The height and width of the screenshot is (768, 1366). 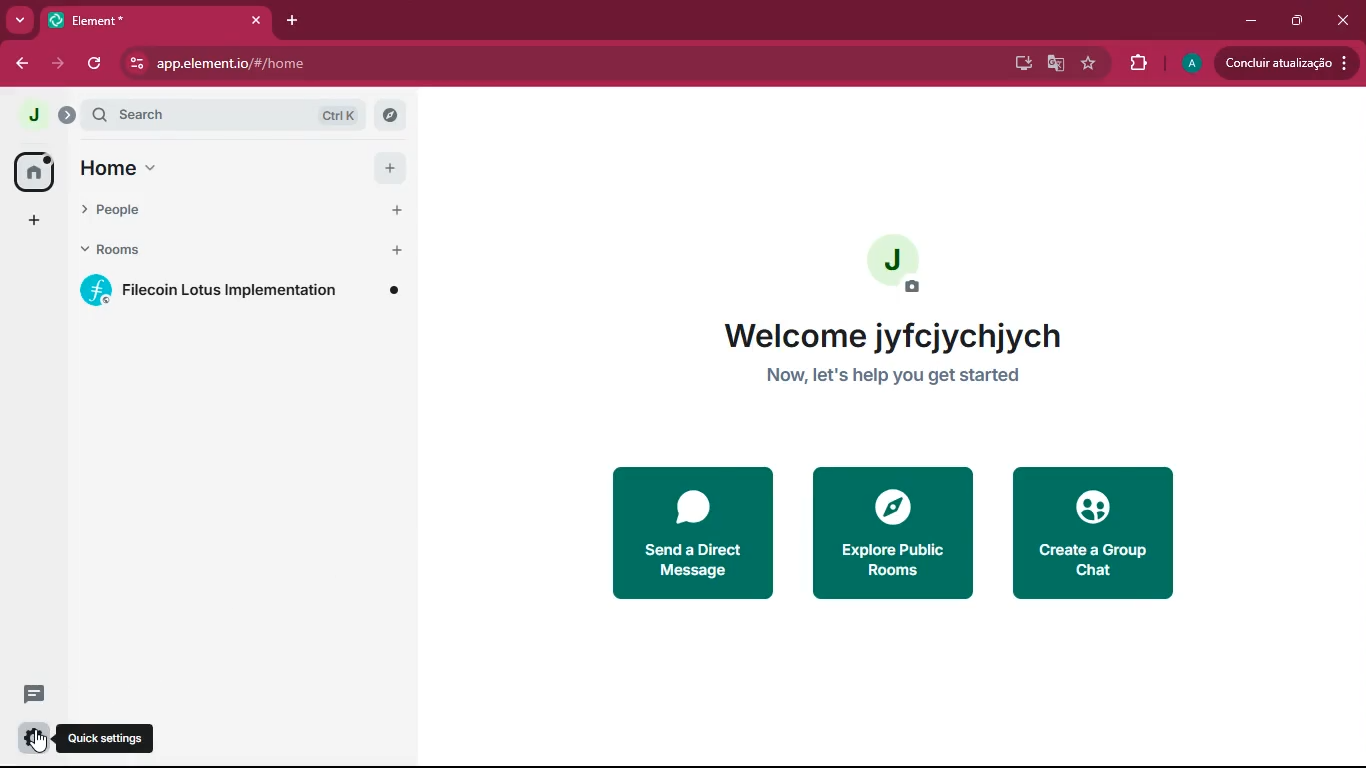 What do you see at coordinates (895, 267) in the screenshot?
I see `profile` at bounding box center [895, 267].